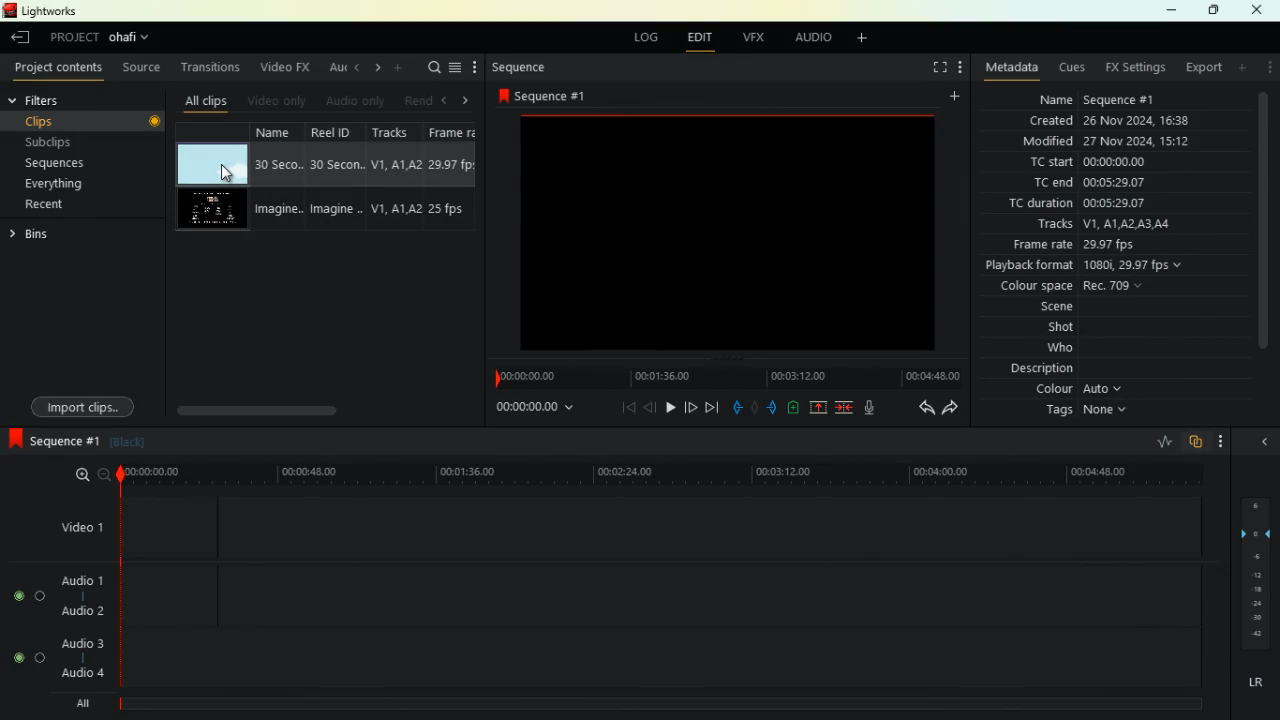  What do you see at coordinates (1066, 67) in the screenshot?
I see `cues` at bounding box center [1066, 67].